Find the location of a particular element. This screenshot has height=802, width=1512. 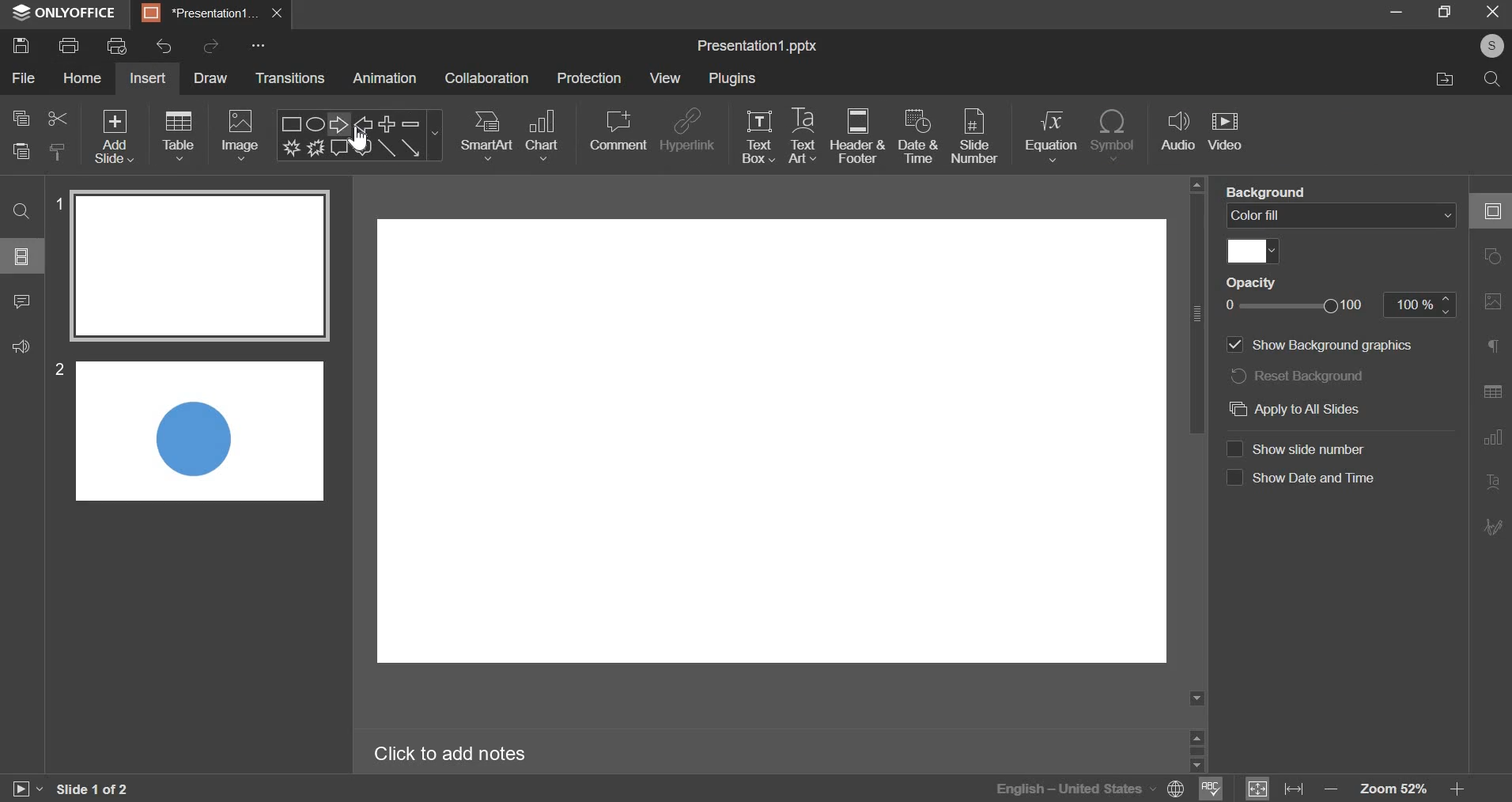

find is located at coordinates (20, 210).